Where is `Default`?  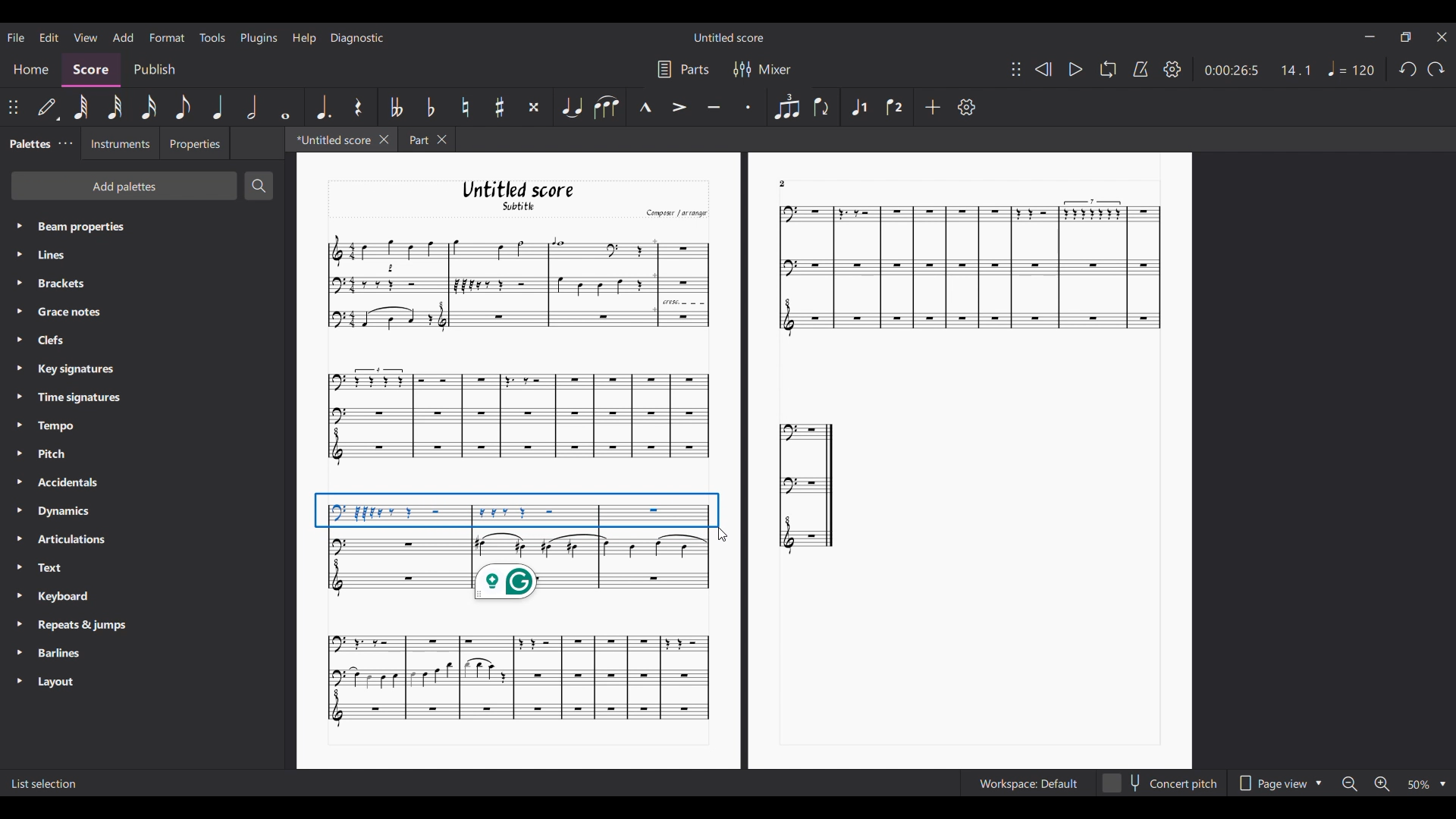
Default is located at coordinates (48, 110).